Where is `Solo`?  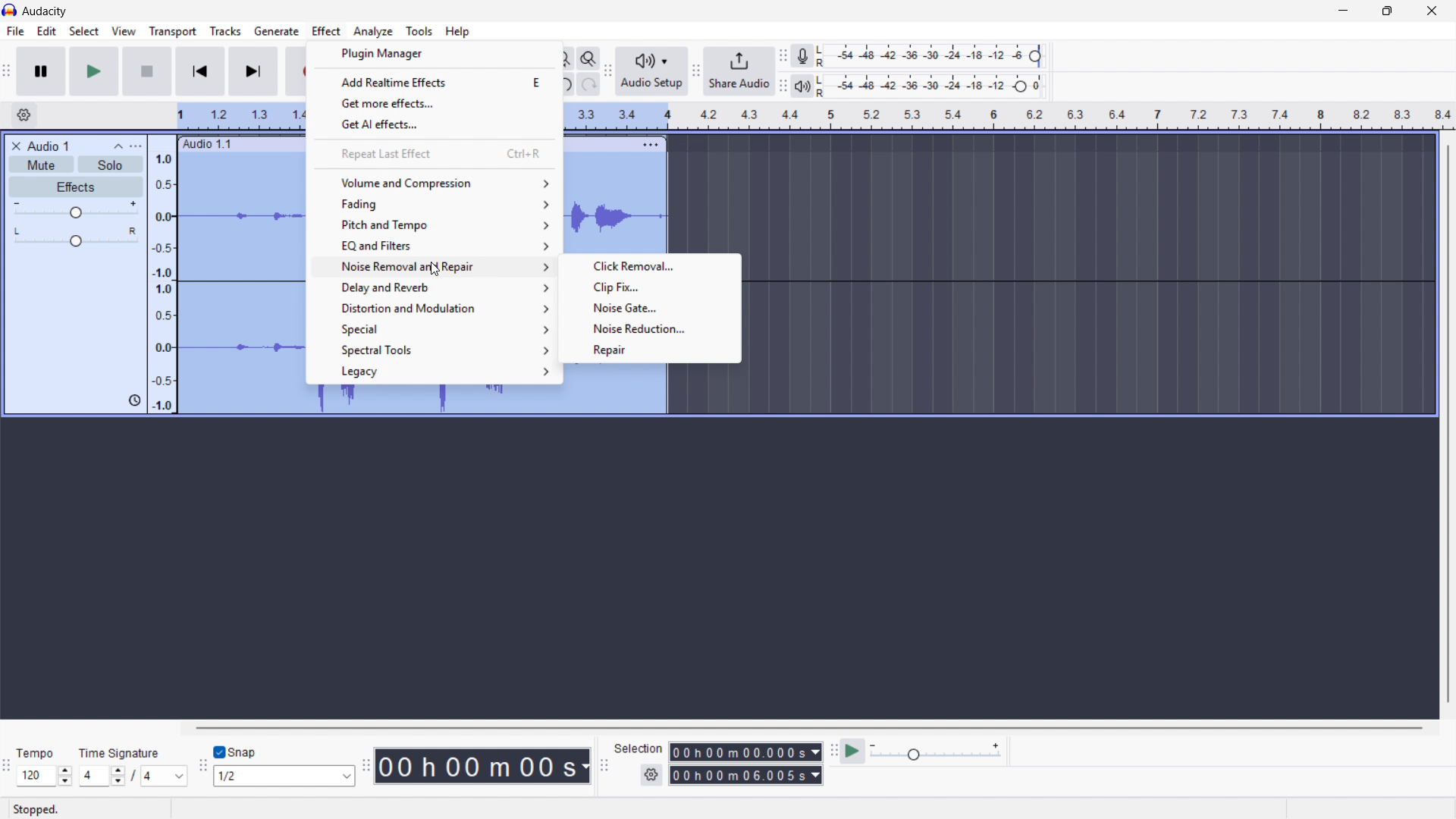
Solo is located at coordinates (111, 164).